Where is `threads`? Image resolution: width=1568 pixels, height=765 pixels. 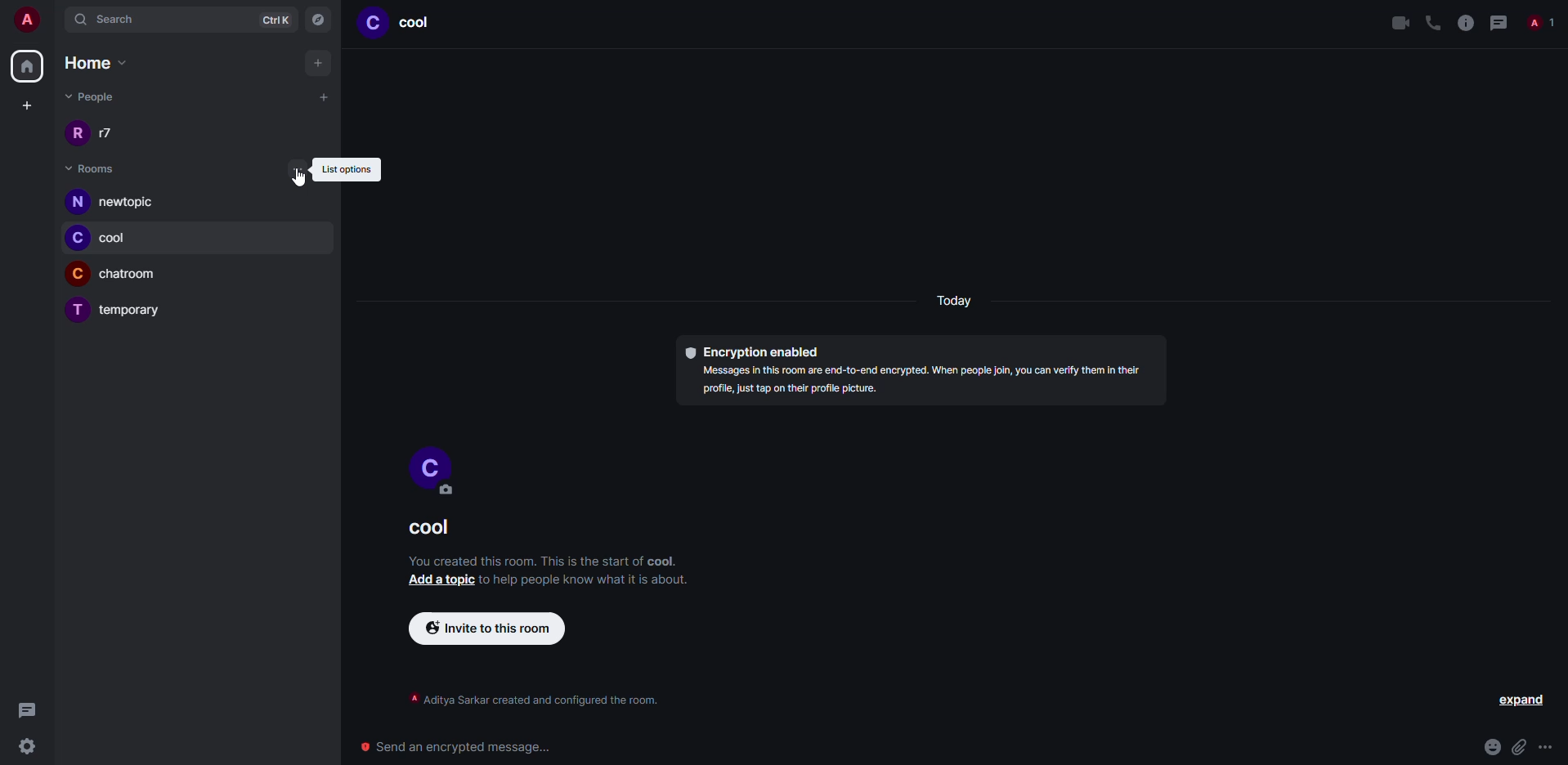 threads is located at coordinates (1497, 22).